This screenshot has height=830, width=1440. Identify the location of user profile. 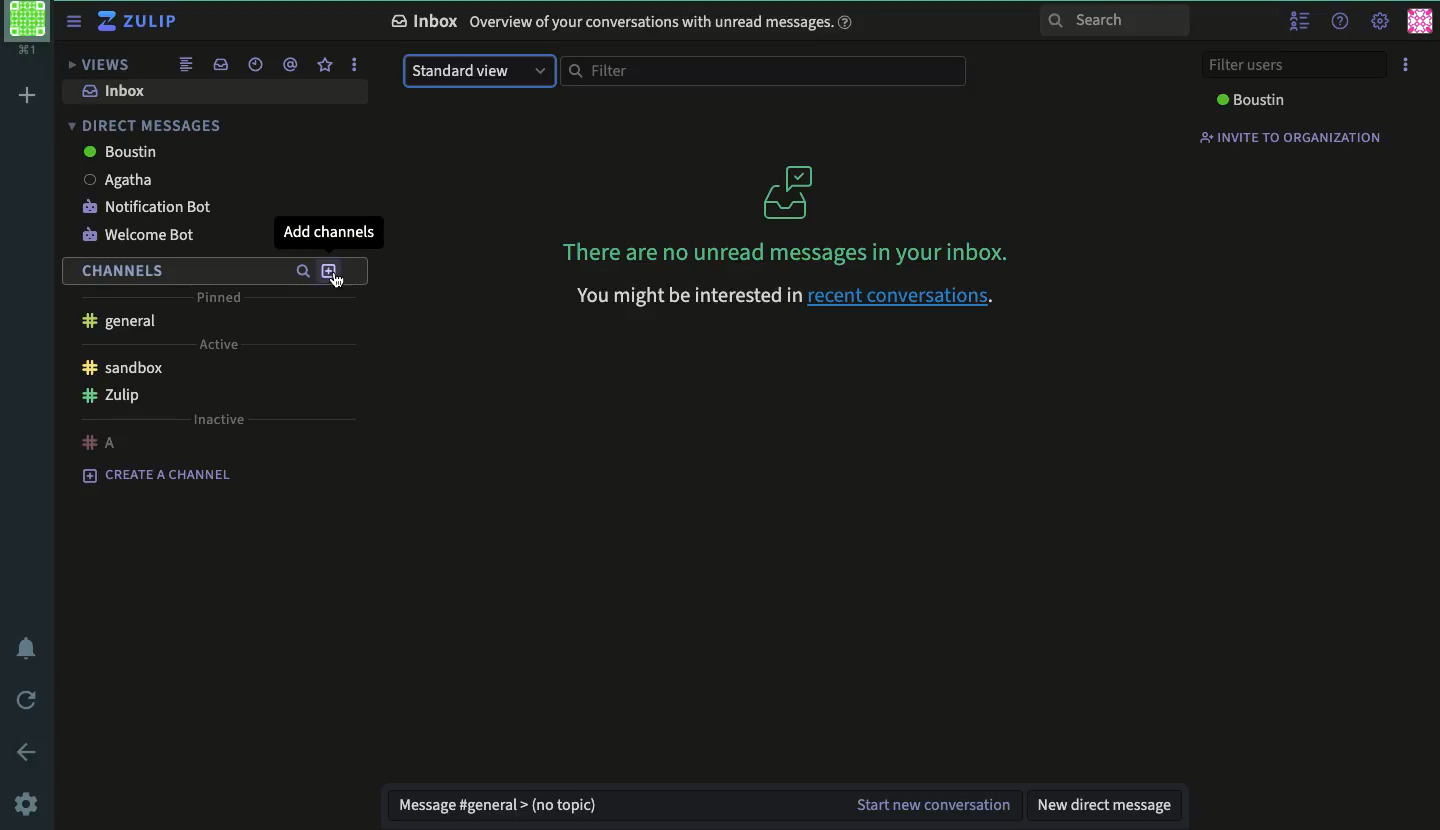
(1420, 20).